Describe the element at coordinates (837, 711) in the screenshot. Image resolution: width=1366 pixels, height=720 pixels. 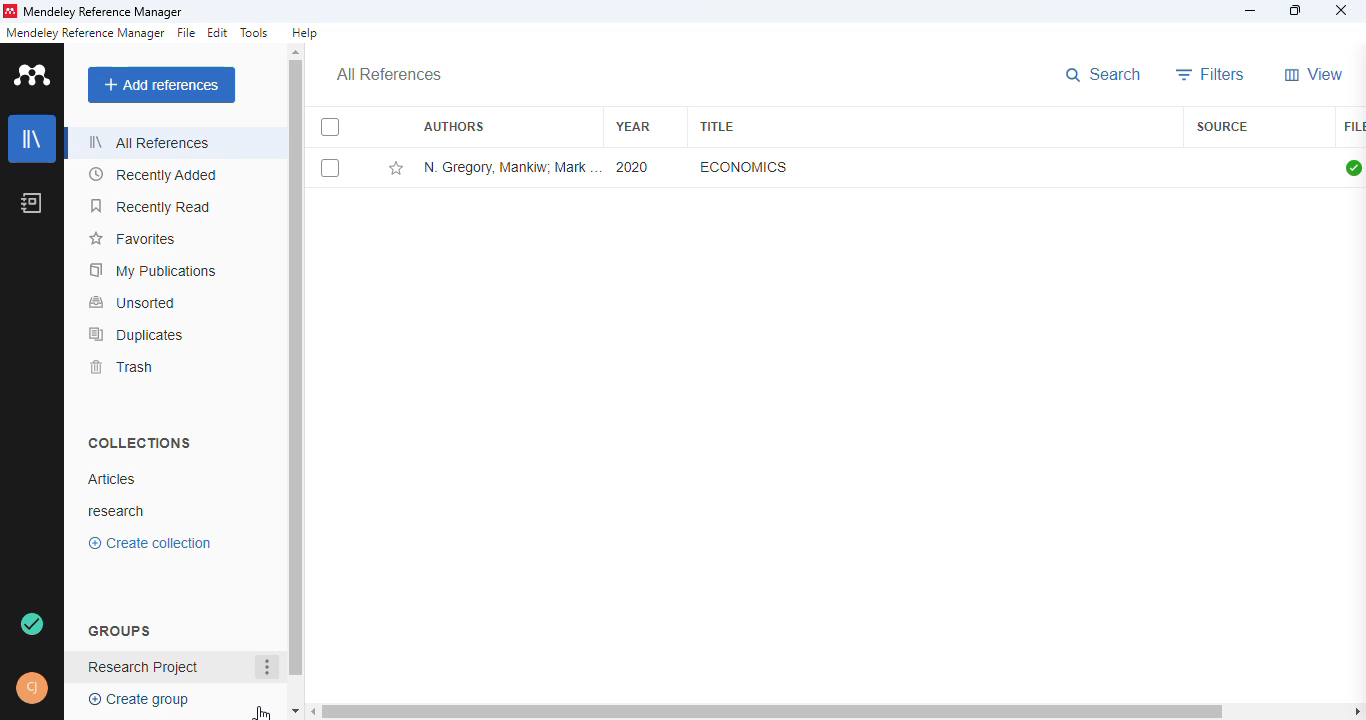
I see `horizontal scroll bar` at that location.